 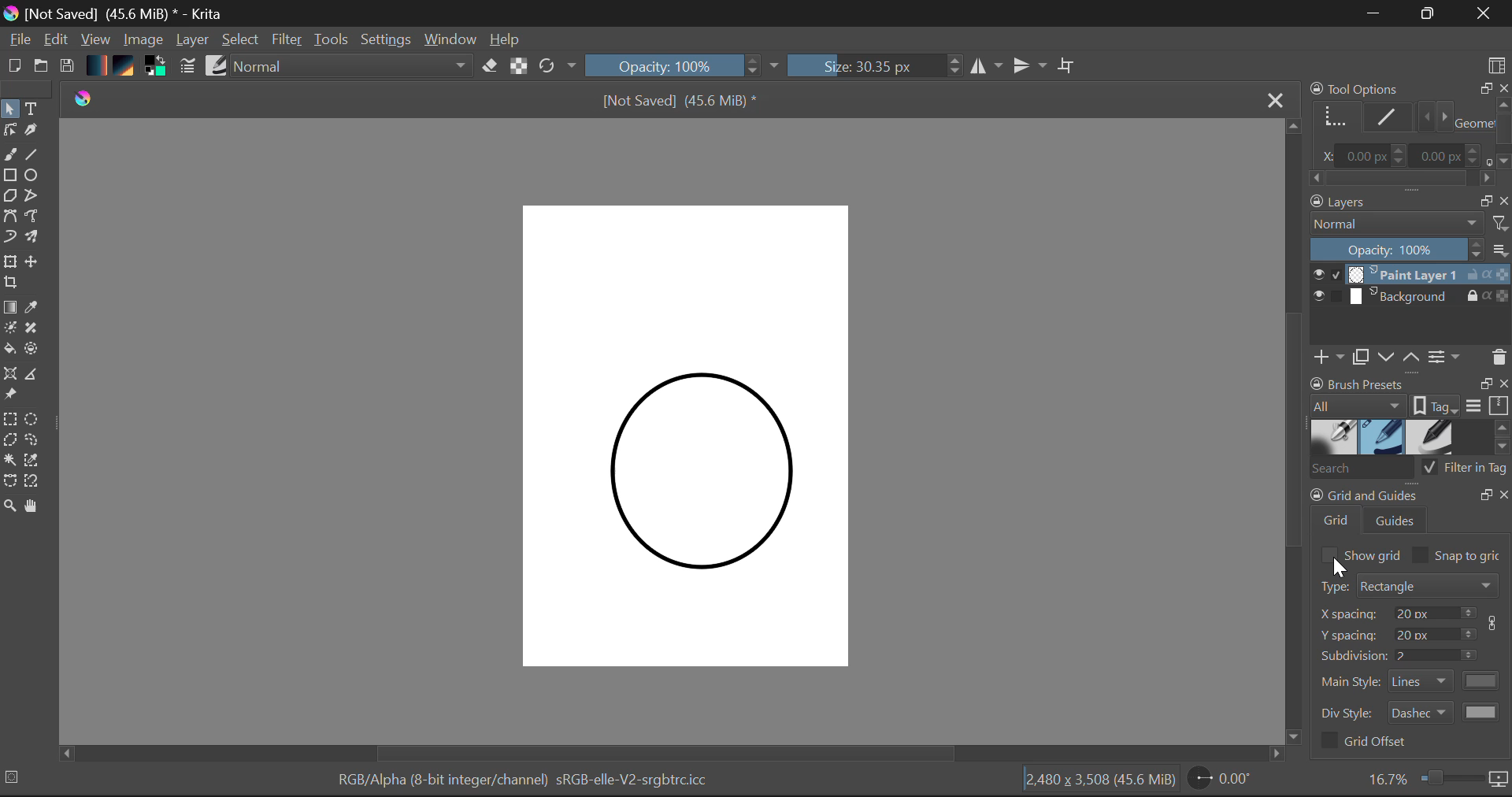 I want to click on Multibrush Tool, so click(x=38, y=240).